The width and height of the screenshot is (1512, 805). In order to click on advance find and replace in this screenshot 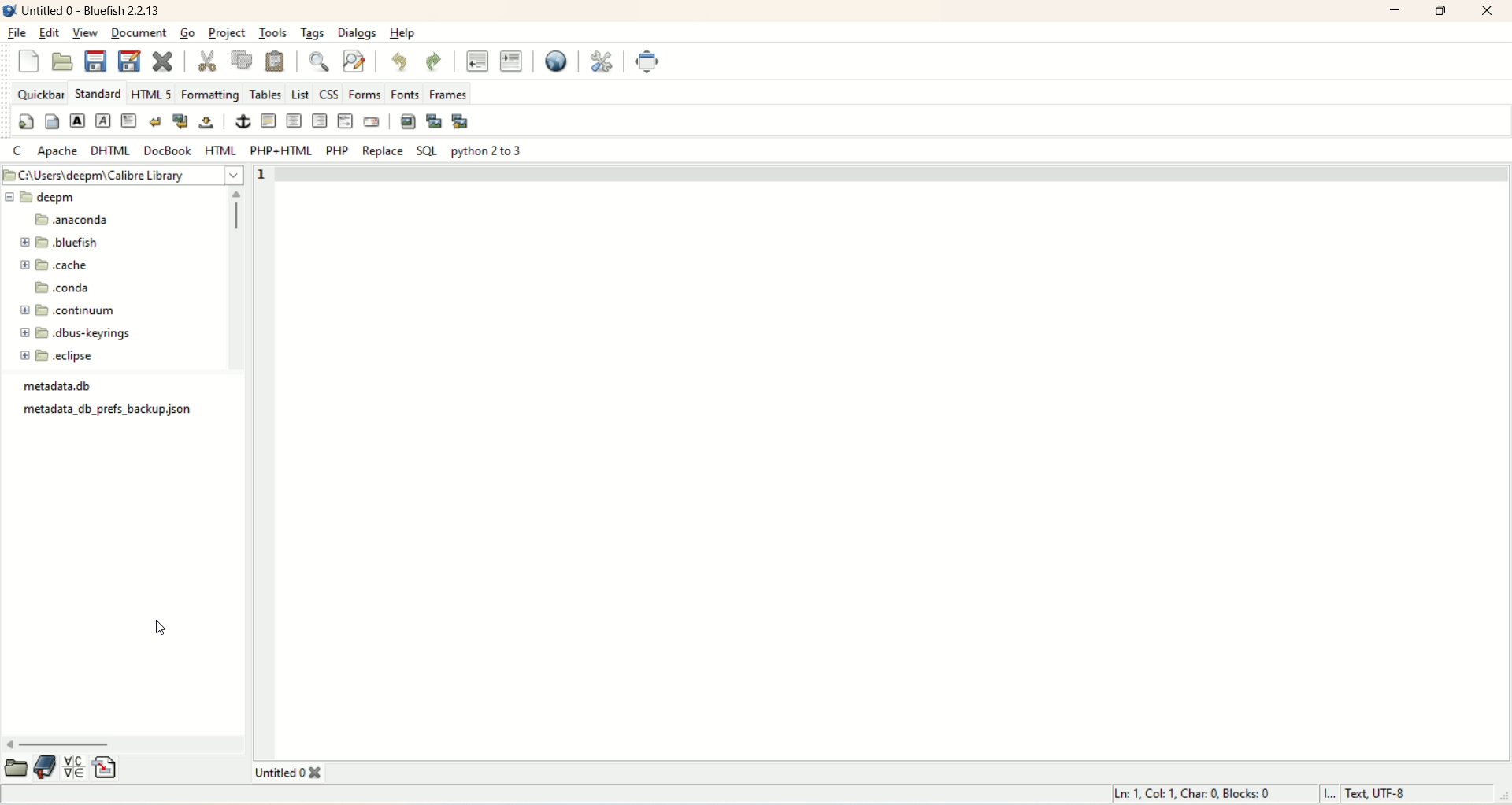, I will do `click(355, 62)`.